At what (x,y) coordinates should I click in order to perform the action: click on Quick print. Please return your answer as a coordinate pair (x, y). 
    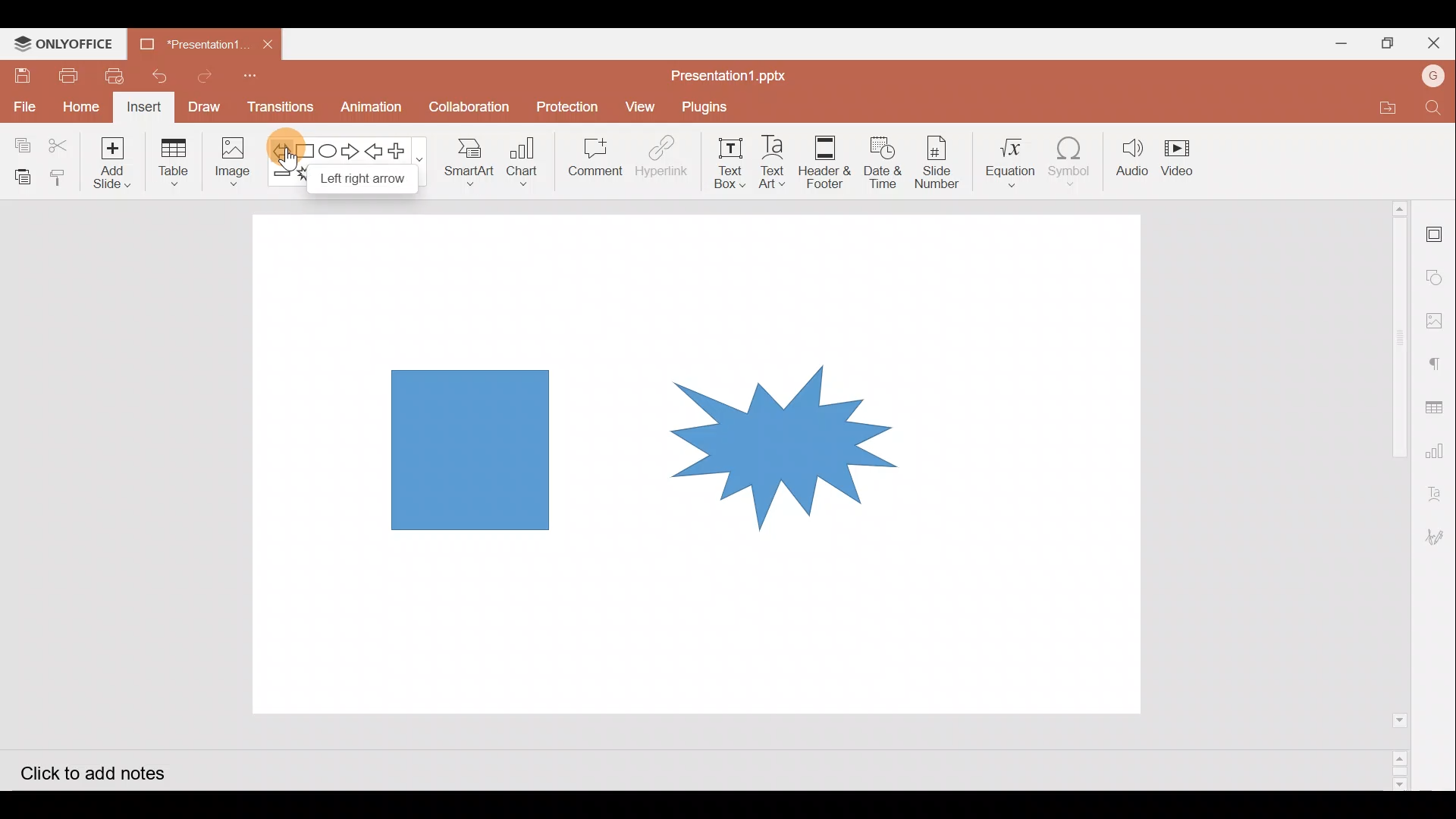
    Looking at the image, I should click on (118, 77).